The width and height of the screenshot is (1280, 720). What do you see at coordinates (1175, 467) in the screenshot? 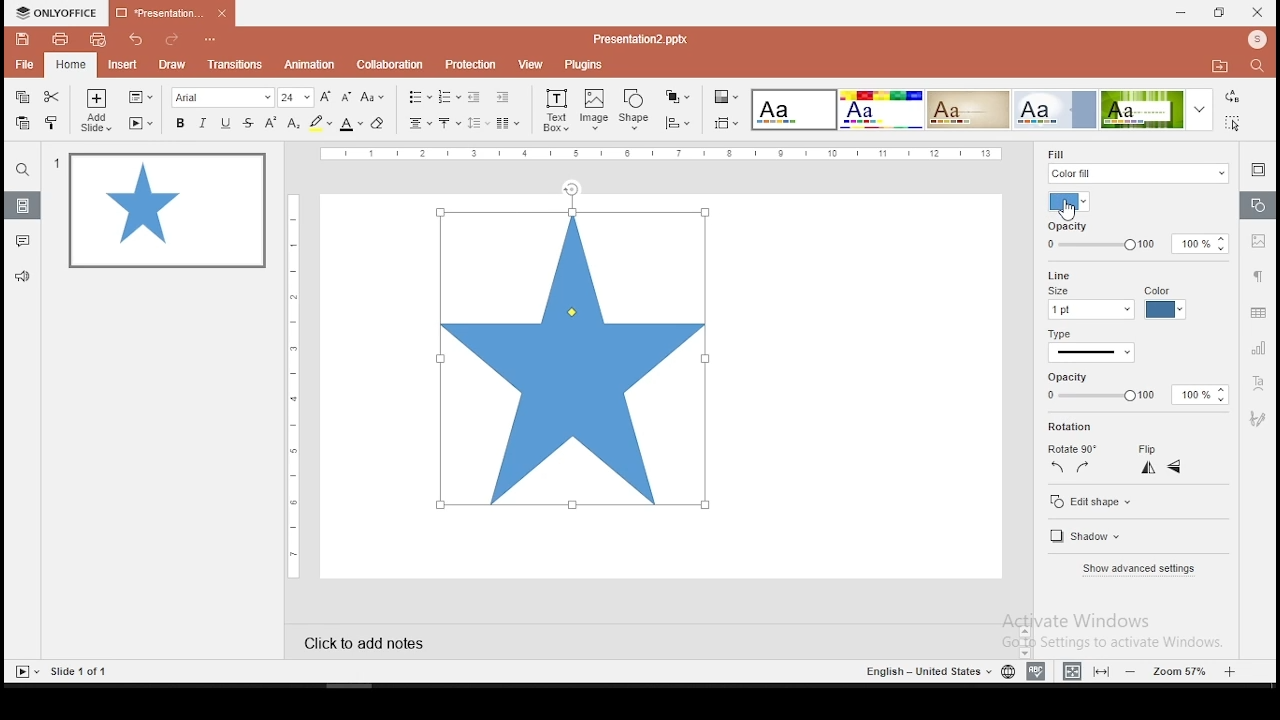
I see `flip vertical` at bounding box center [1175, 467].